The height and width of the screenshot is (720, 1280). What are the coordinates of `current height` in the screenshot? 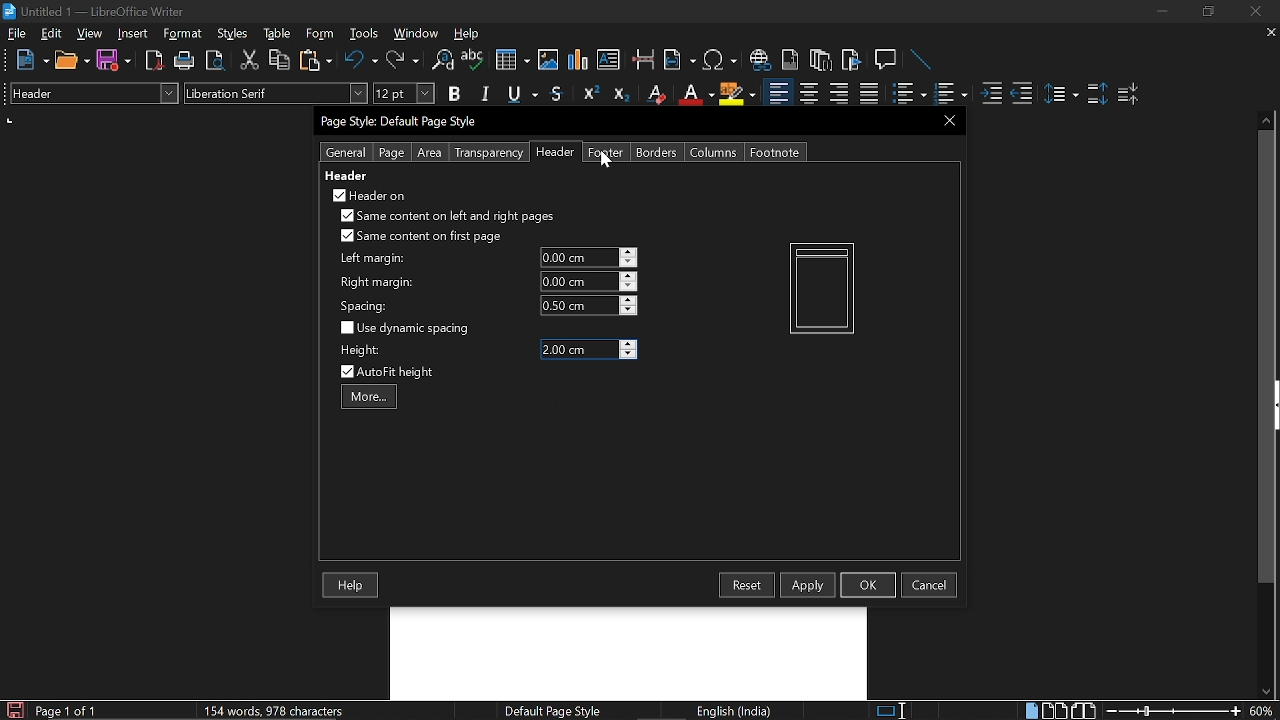 It's located at (578, 350).